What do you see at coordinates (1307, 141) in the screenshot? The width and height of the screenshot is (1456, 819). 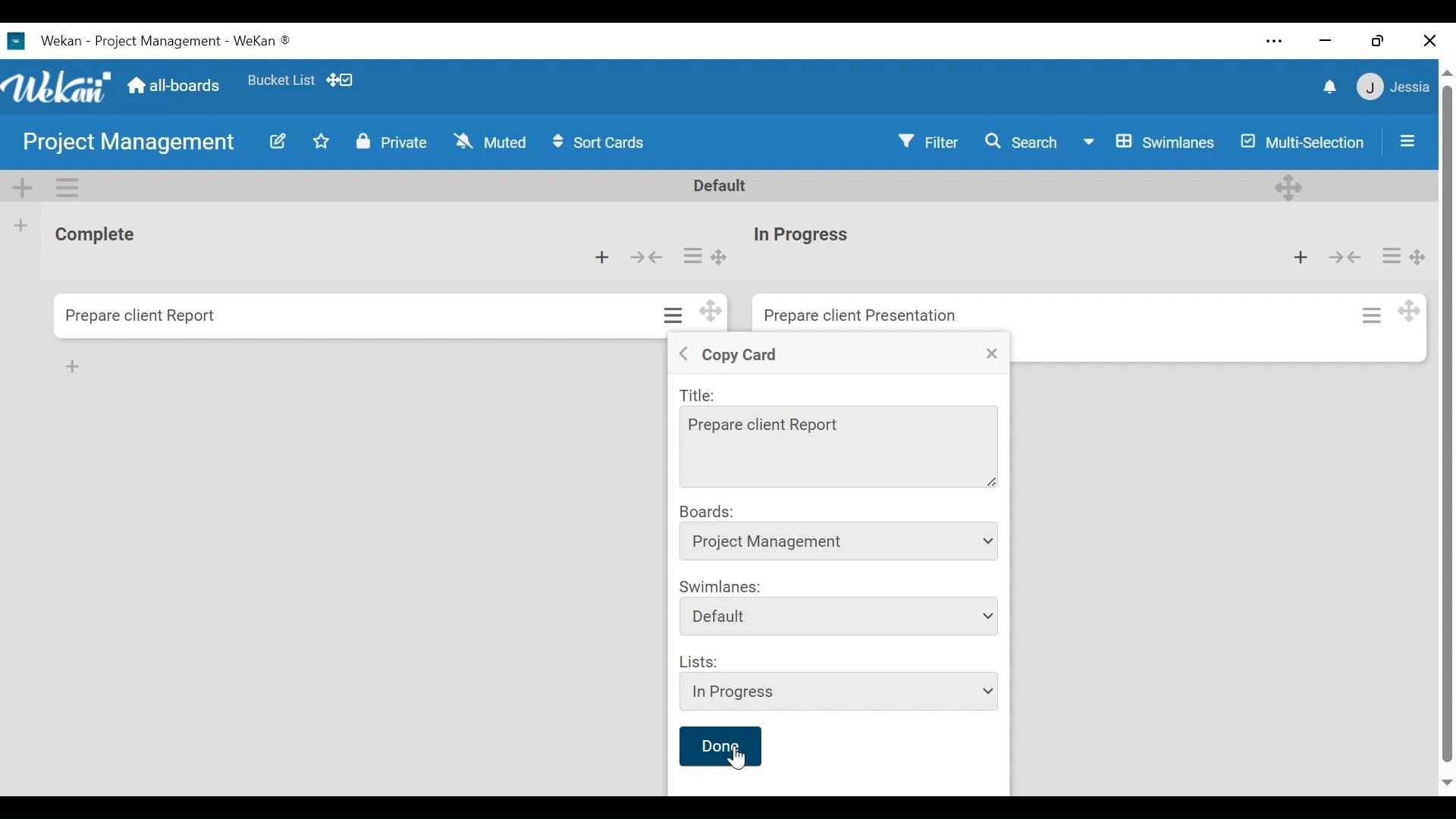 I see `Multi-Selection` at bounding box center [1307, 141].